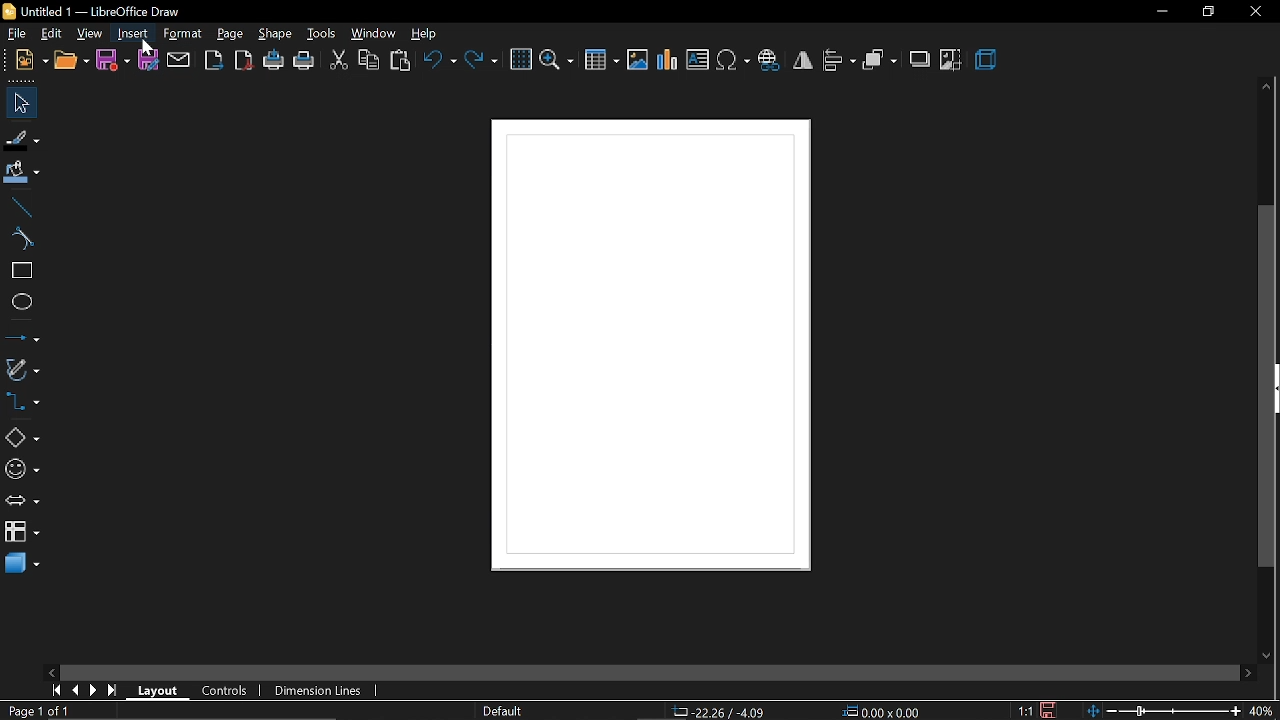  Describe the element at coordinates (22, 531) in the screenshot. I see `flowchart` at that location.